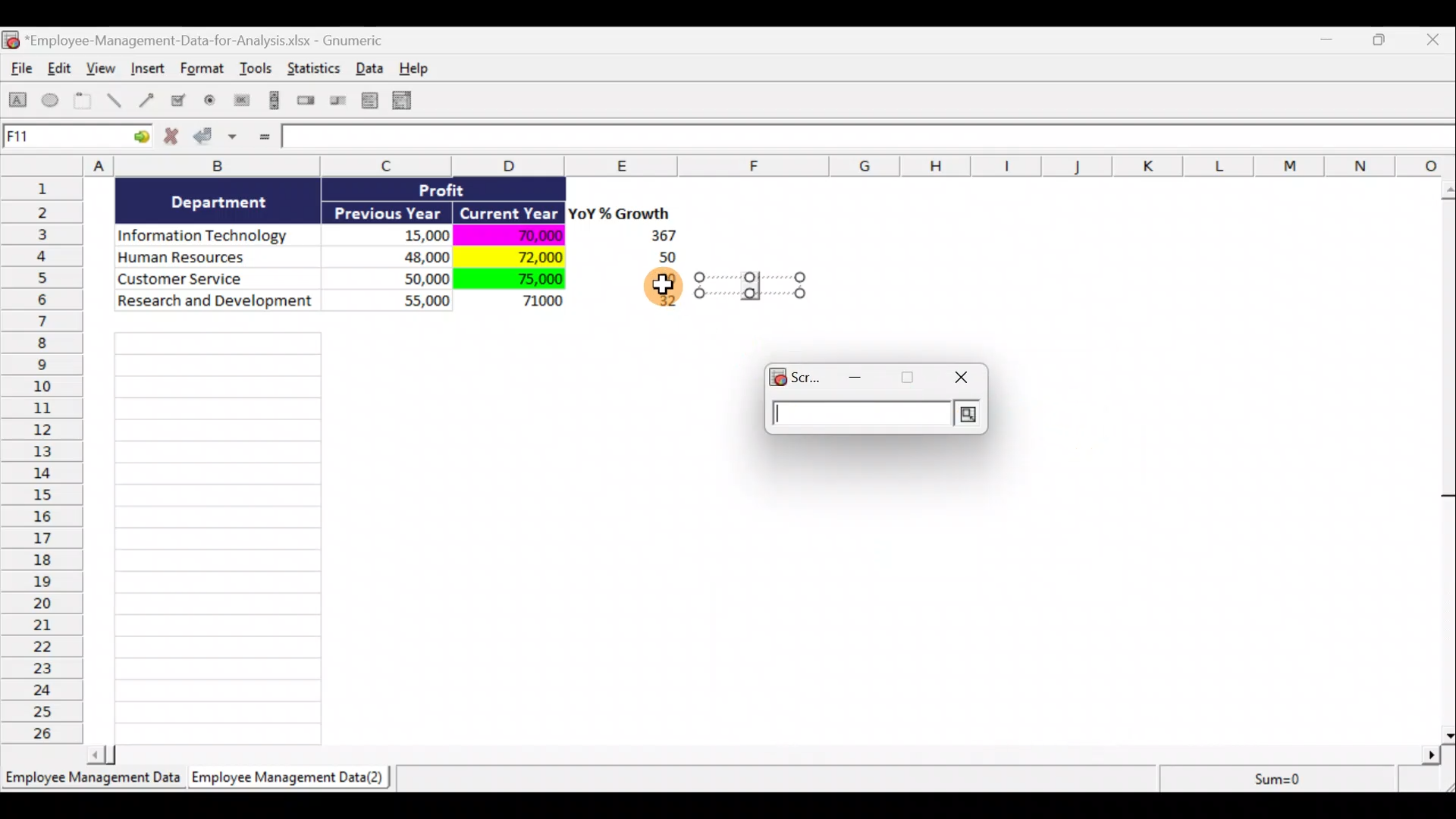 The image size is (1456, 819). I want to click on Tools, so click(258, 71).